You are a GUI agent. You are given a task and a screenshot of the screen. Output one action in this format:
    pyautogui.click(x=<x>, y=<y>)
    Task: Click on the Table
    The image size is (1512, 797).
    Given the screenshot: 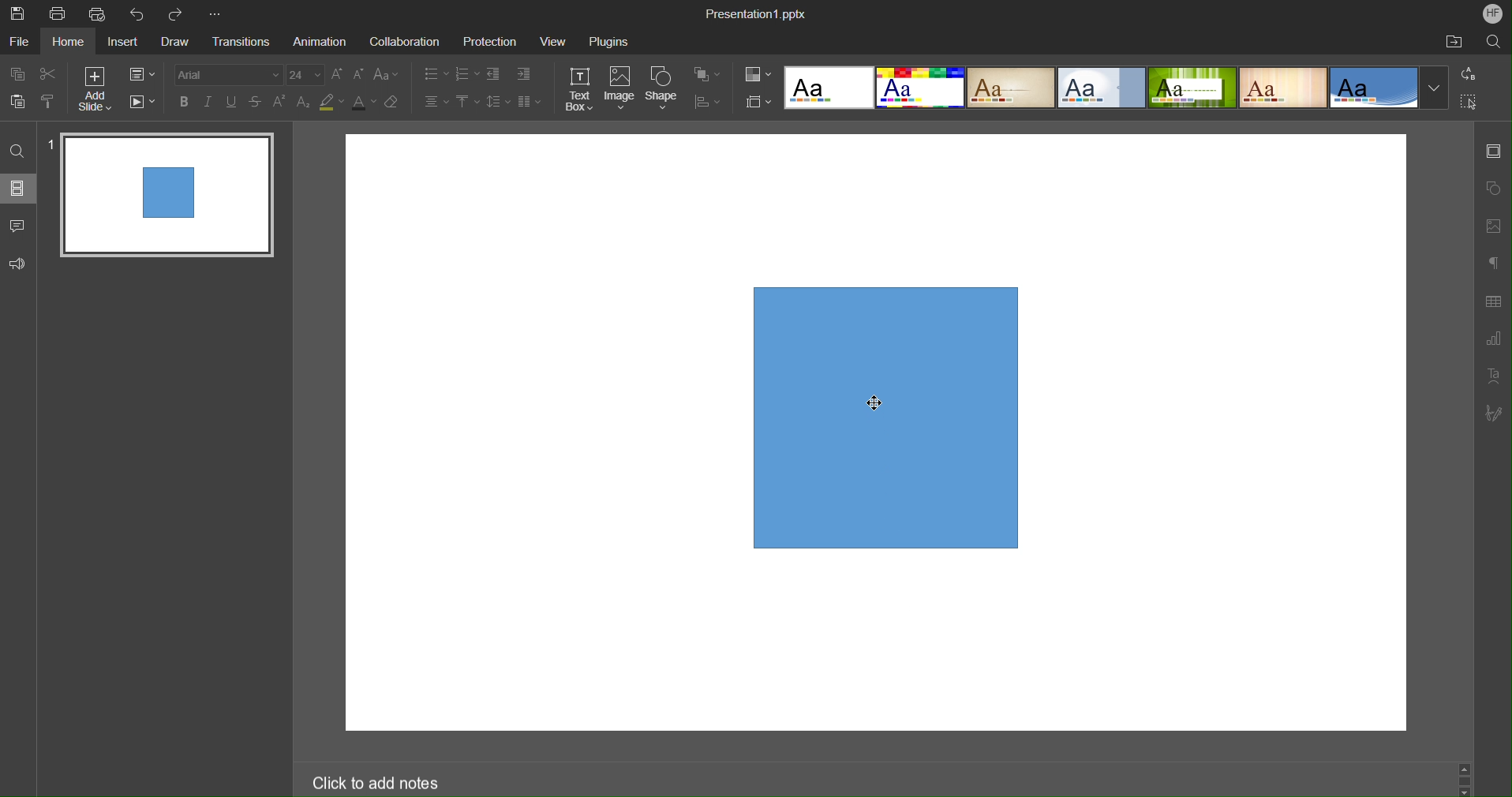 What is the action you would take?
    pyautogui.click(x=1494, y=301)
    